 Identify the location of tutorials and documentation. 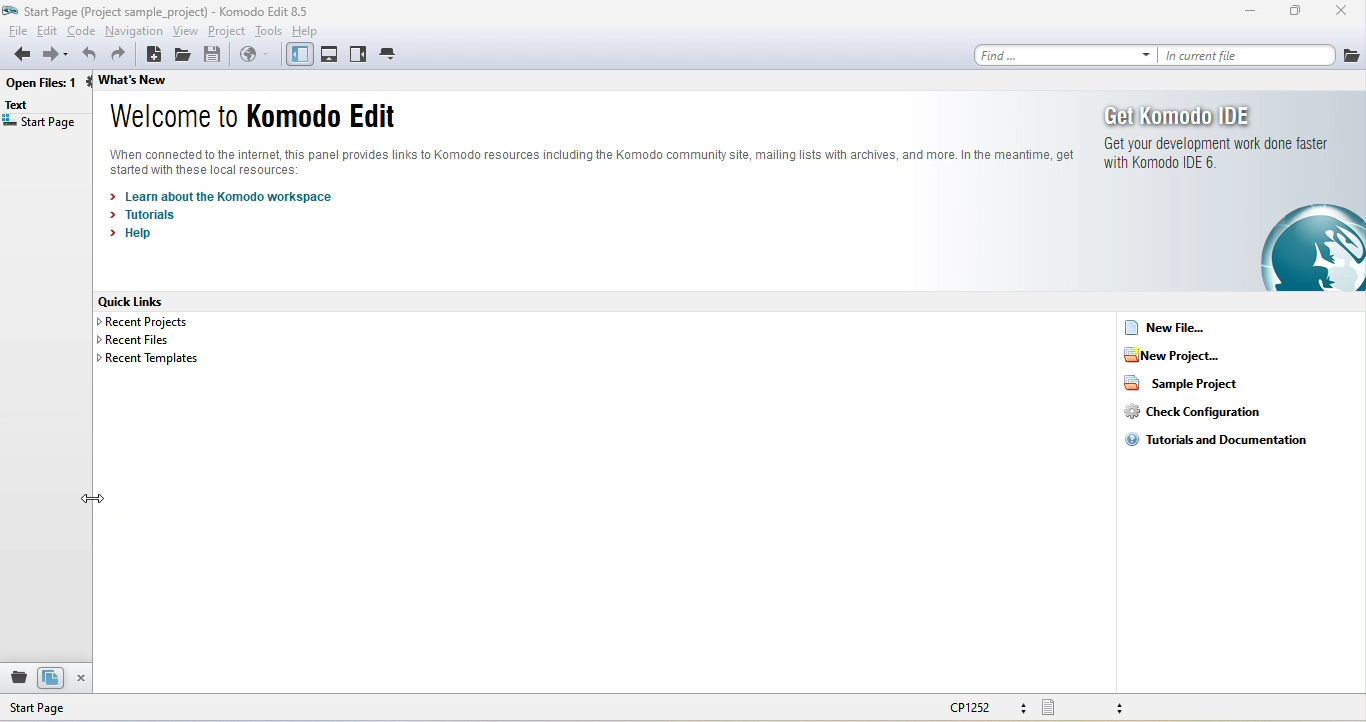
(1218, 441).